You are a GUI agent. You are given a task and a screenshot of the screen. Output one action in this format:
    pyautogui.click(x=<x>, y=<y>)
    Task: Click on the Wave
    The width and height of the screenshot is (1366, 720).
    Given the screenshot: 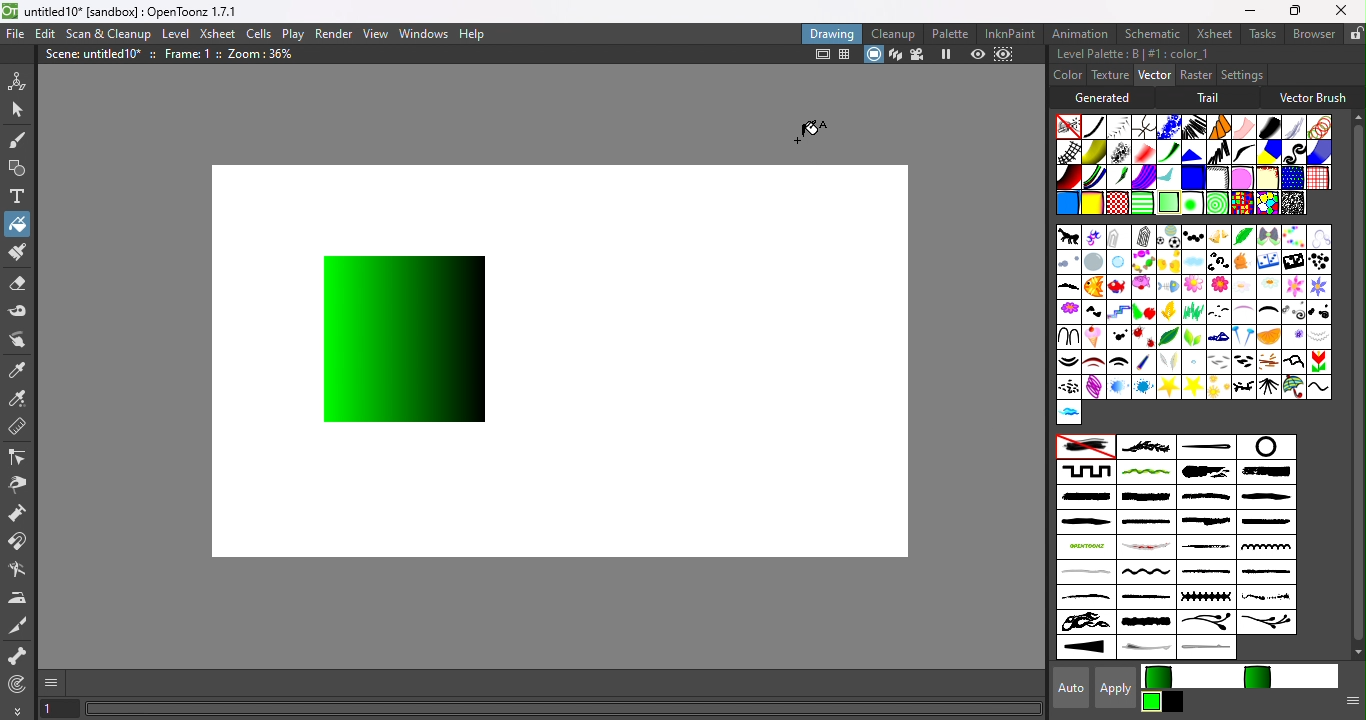 What is the action you would take?
    pyautogui.click(x=1243, y=152)
    